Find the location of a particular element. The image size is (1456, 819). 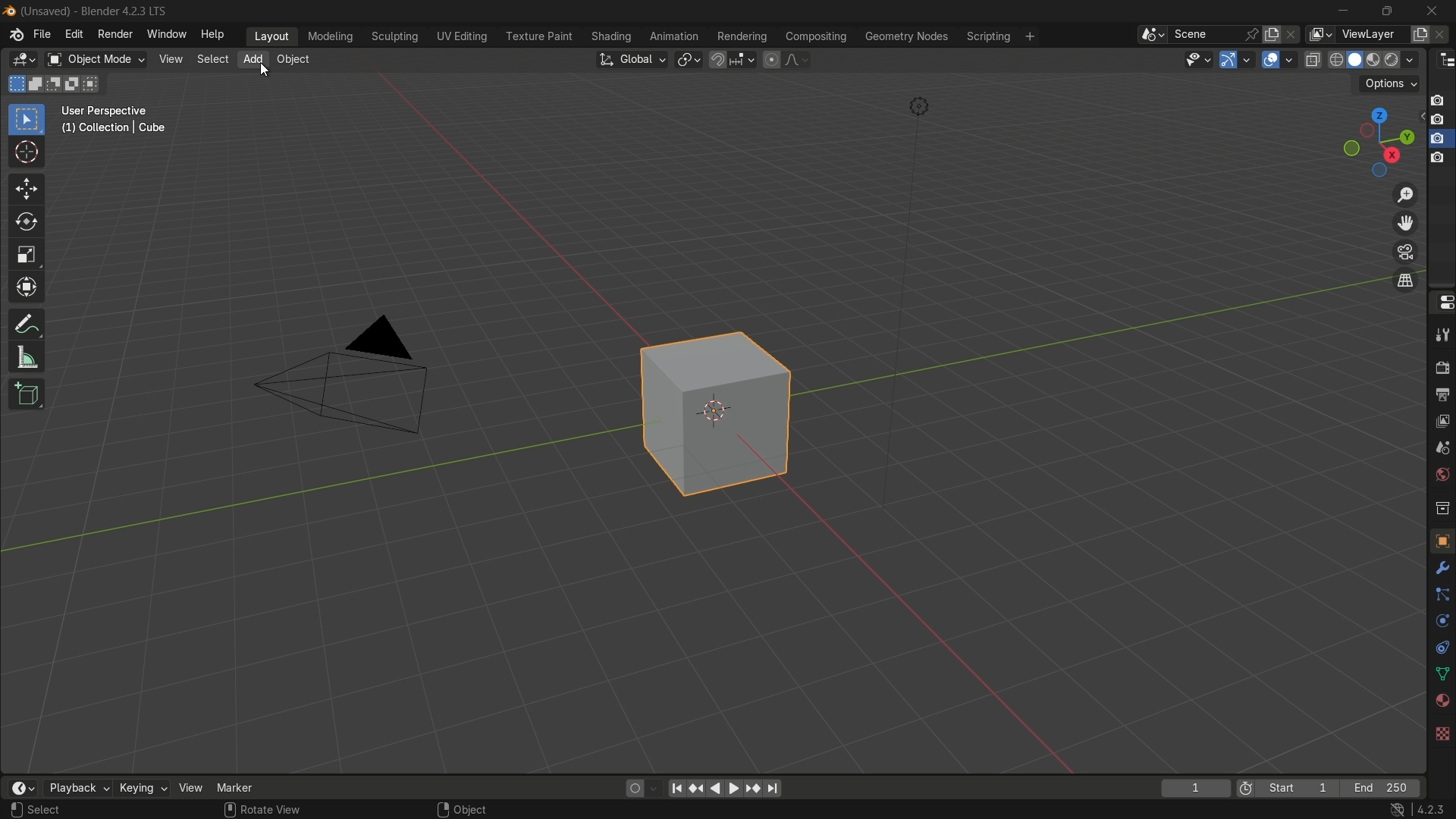

(Unsaved) - Blender 4.2.3 LTS is located at coordinates (97, 12).